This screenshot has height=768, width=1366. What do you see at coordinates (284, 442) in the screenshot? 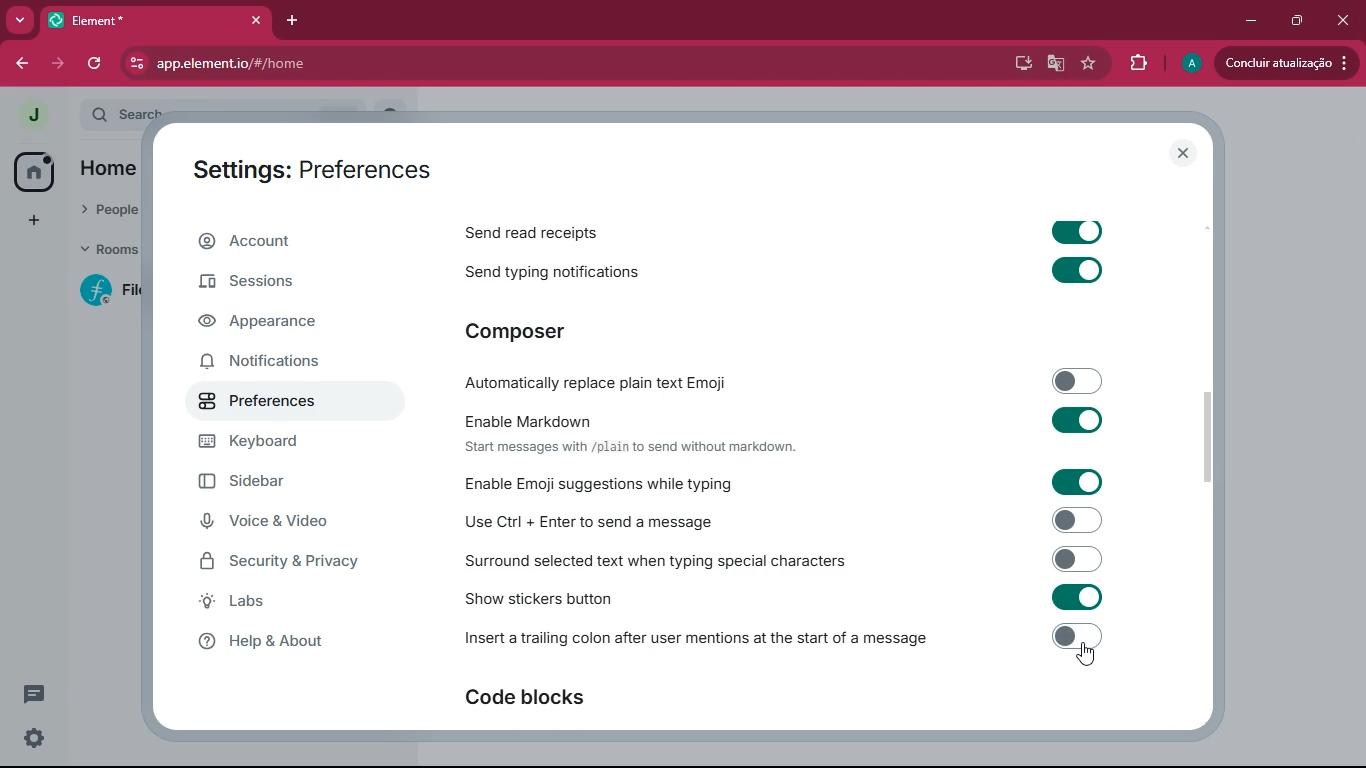
I see `keyboard` at bounding box center [284, 442].